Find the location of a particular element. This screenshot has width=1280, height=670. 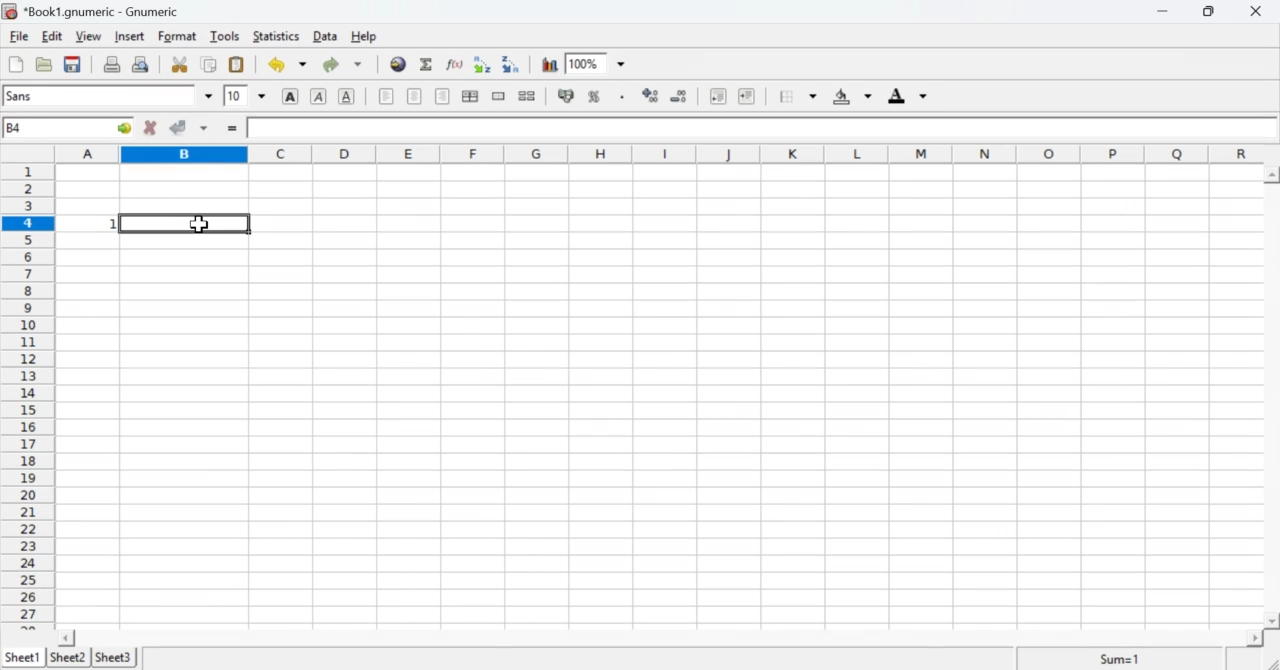

*Book1.gnumeric - Gnumeric is located at coordinates (105, 11).